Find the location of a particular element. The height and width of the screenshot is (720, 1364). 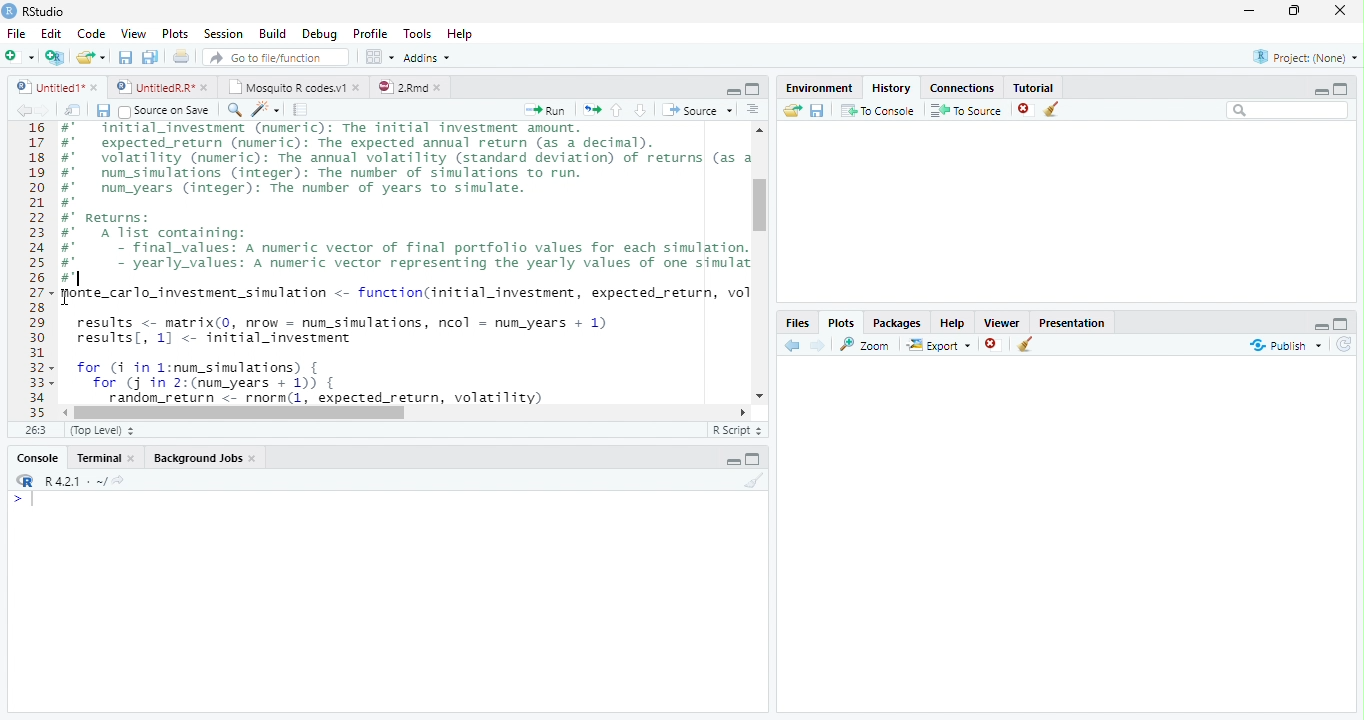

Scroll Bar is located at coordinates (762, 205).